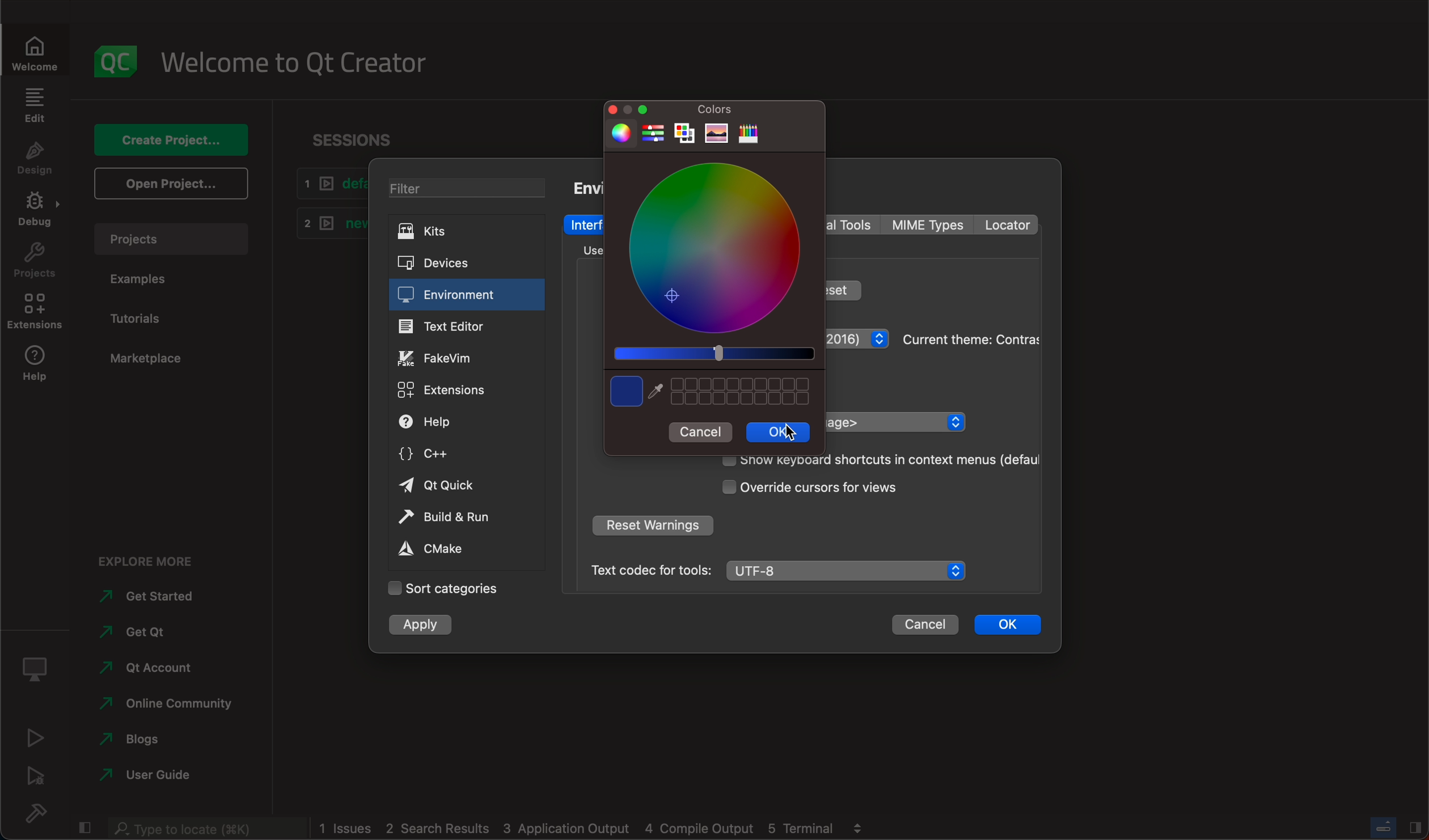 The height and width of the screenshot is (840, 1429). What do you see at coordinates (152, 555) in the screenshot?
I see `explore more` at bounding box center [152, 555].